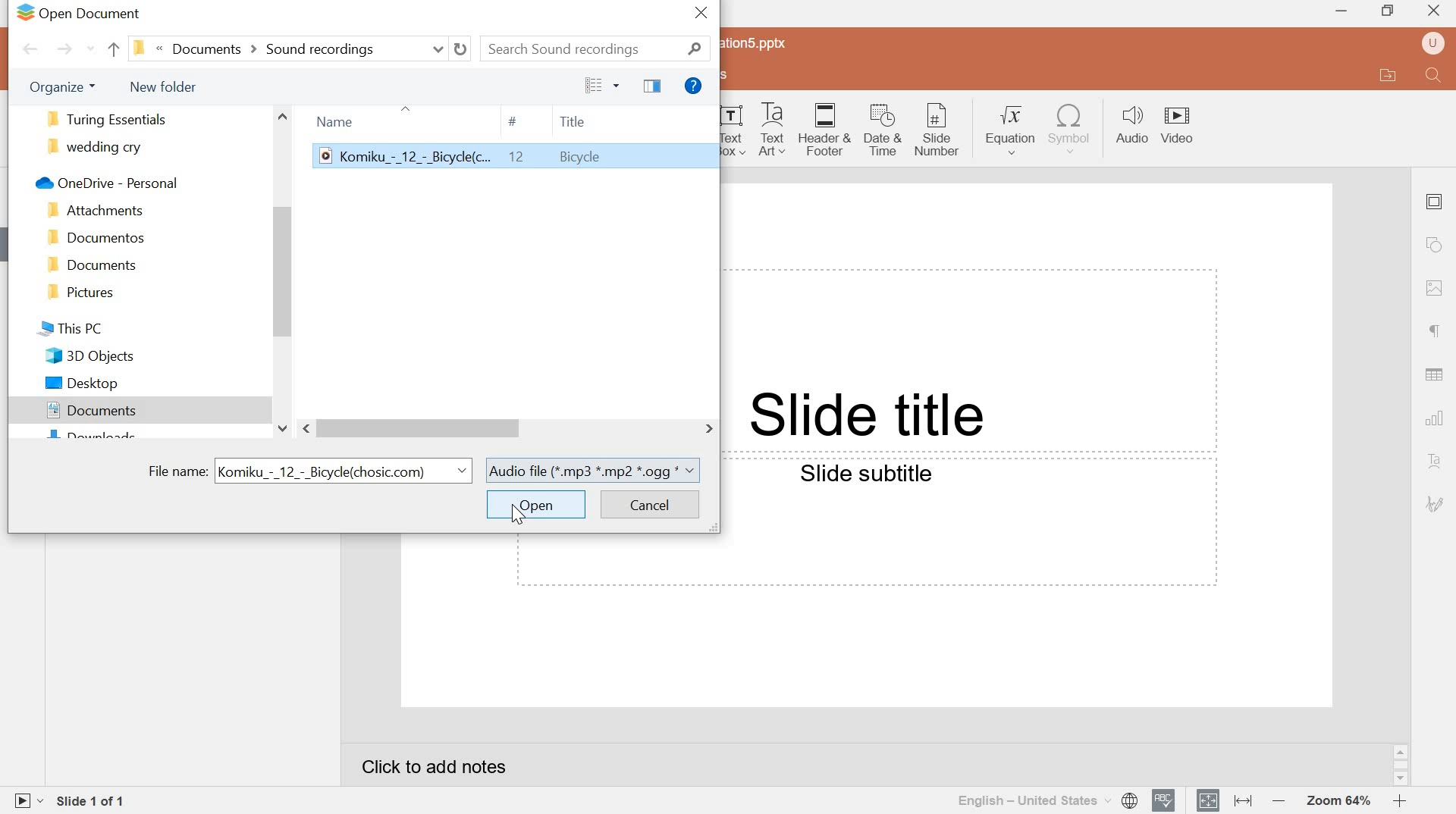  Describe the element at coordinates (1242, 800) in the screenshot. I see `Fit to width` at that location.